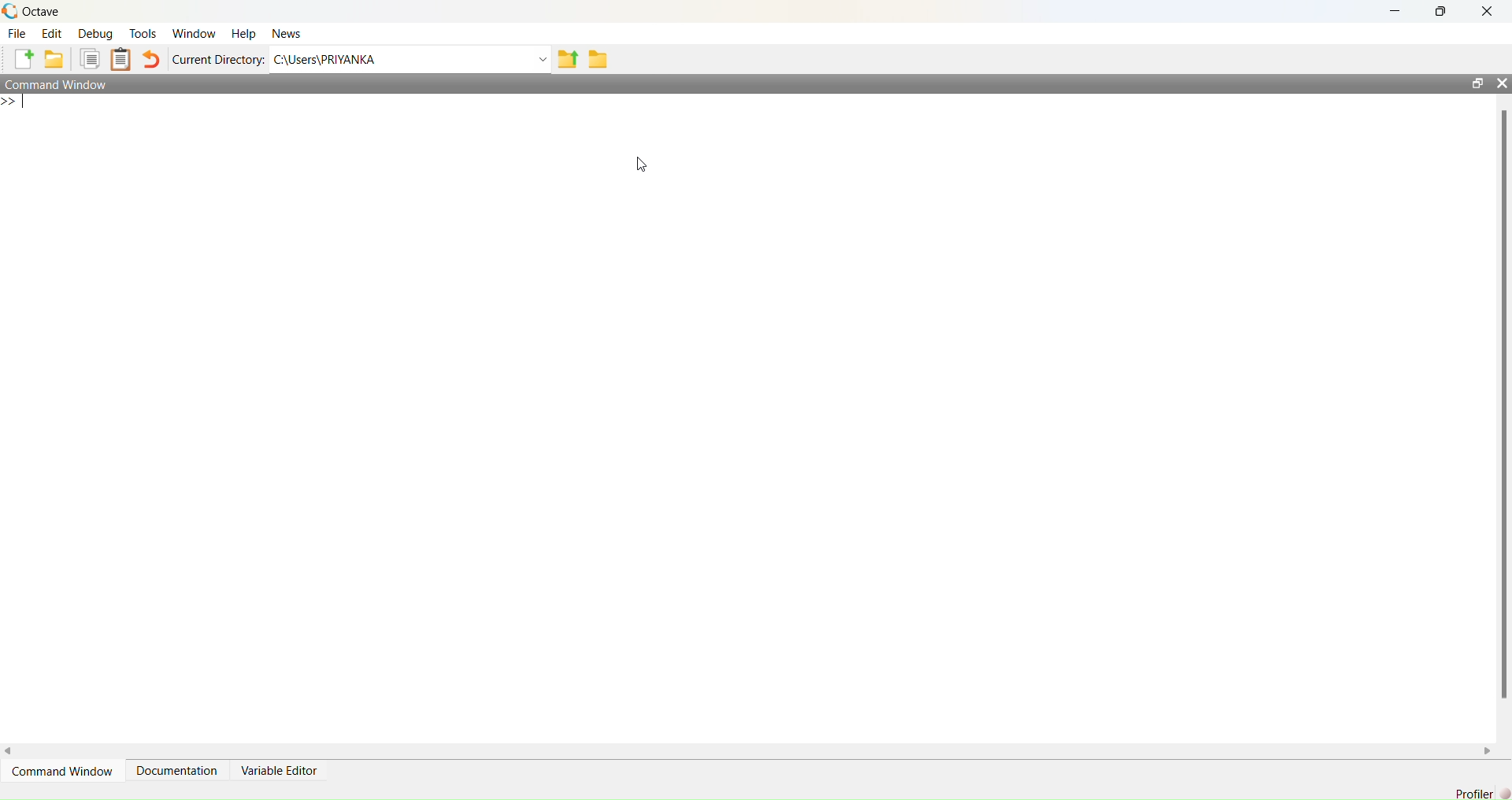 The image size is (1512, 800). I want to click on file, so click(18, 34).